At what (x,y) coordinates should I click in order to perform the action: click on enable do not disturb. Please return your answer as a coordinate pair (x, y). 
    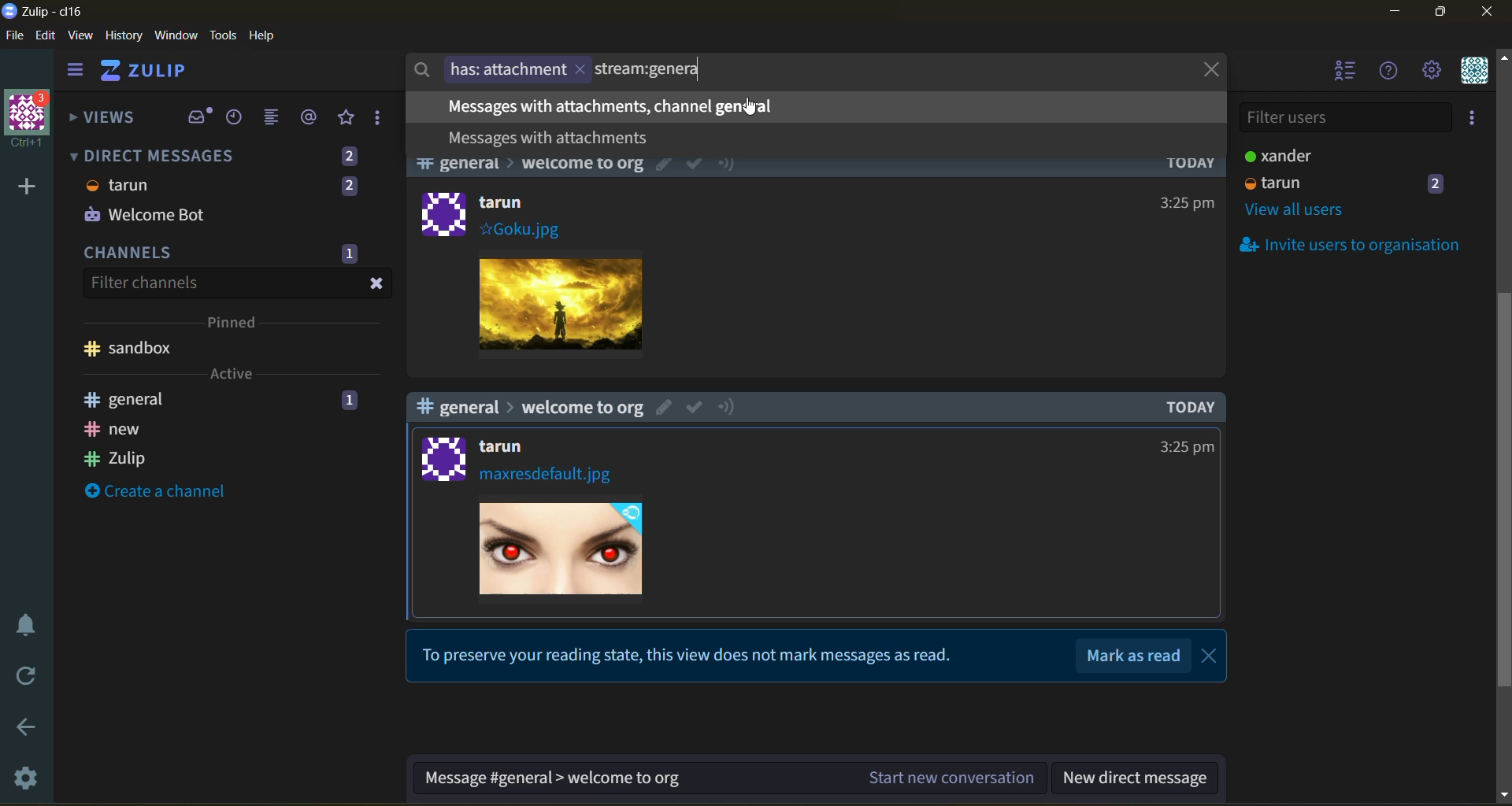
    Looking at the image, I should click on (31, 623).